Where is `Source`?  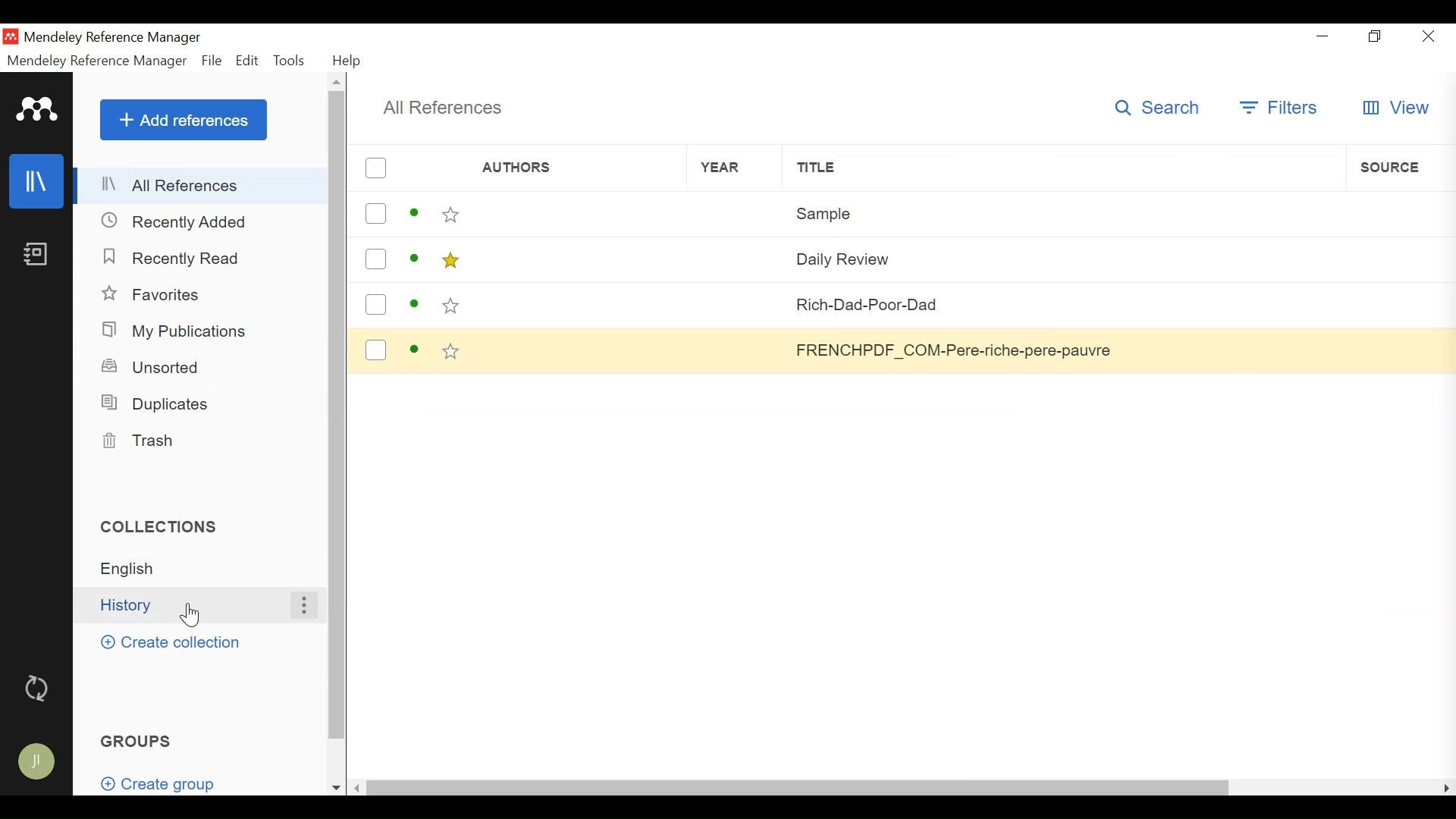 Source is located at coordinates (1400, 167).